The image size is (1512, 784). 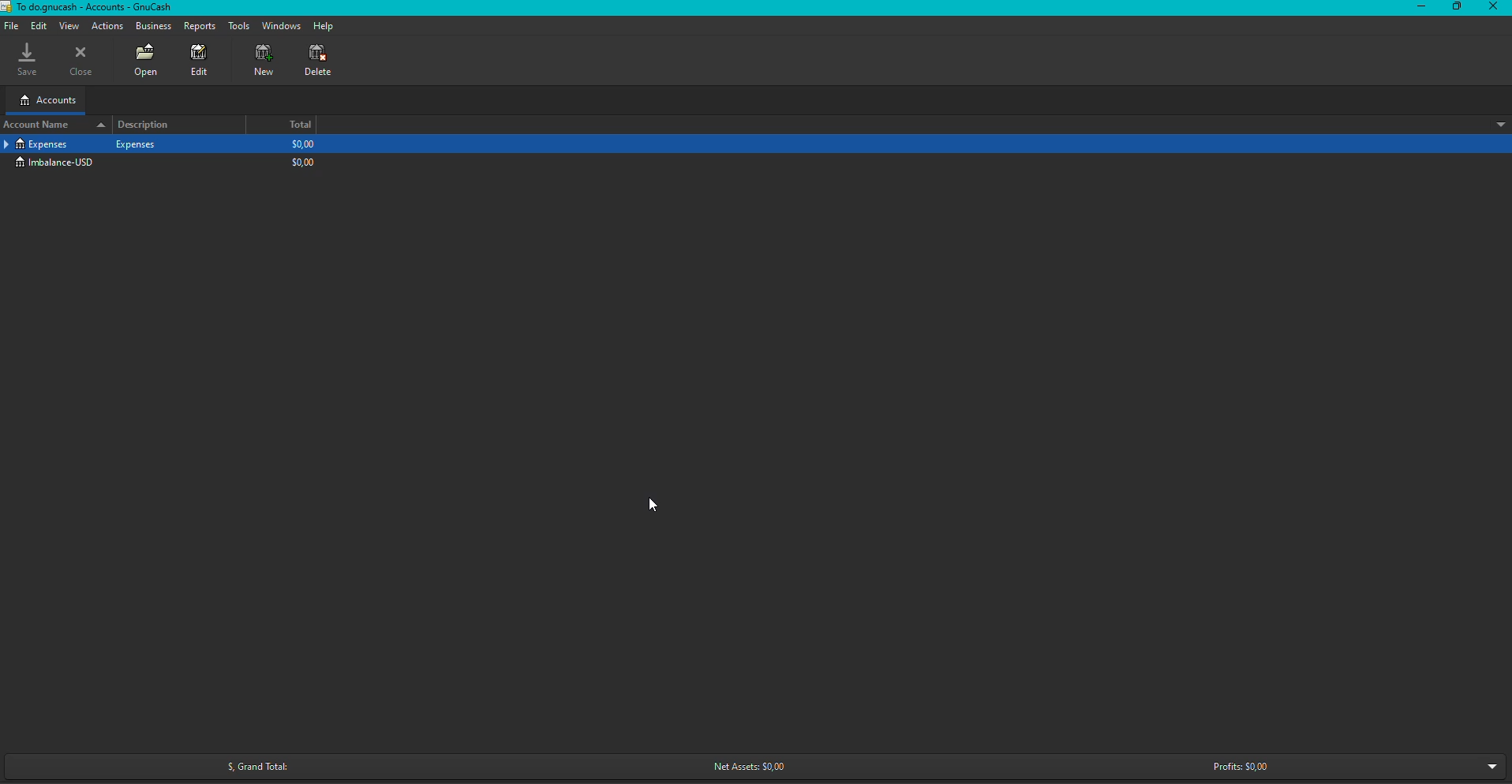 I want to click on Business, so click(x=154, y=28).